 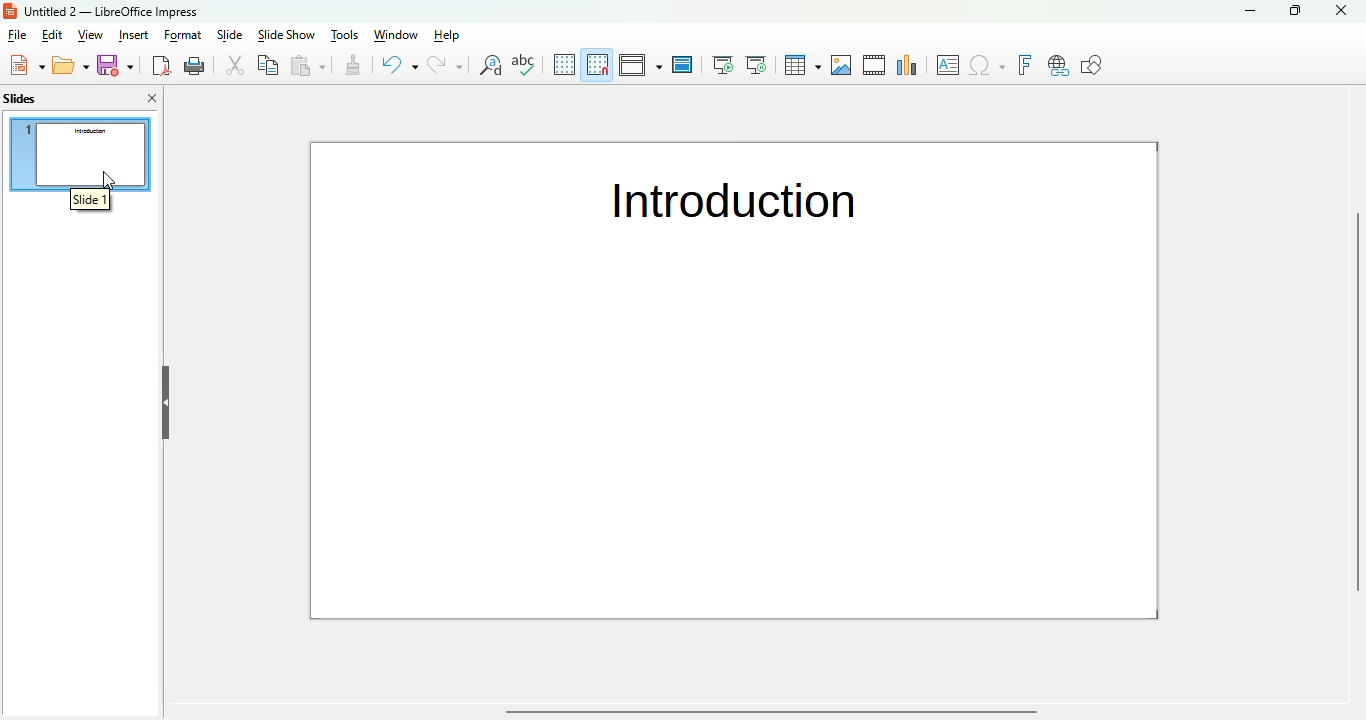 What do you see at coordinates (16, 35) in the screenshot?
I see `file` at bounding box center [16, 35].